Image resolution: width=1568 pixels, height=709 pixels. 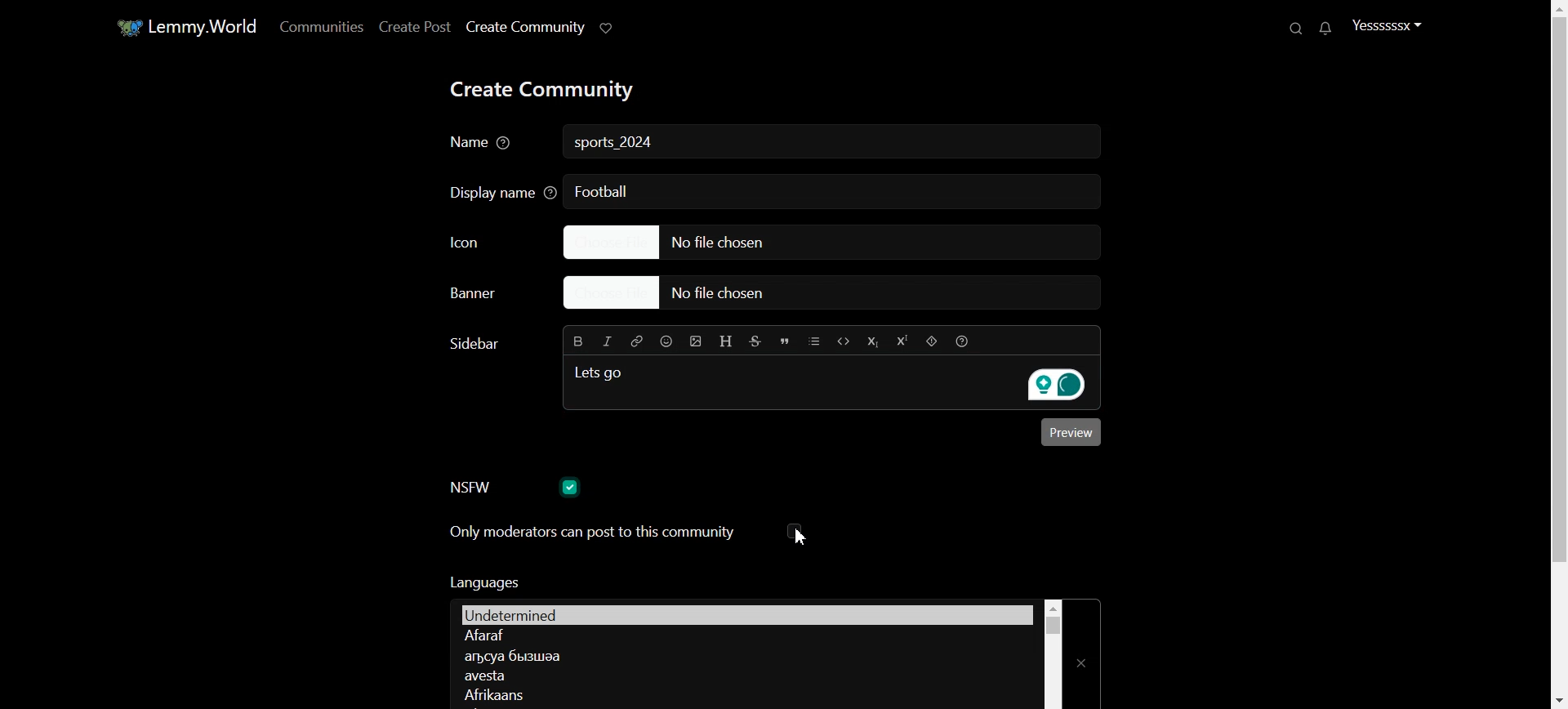 What do you see at coordinates (696, 341) in the screenshot?
I see `Insert Picture` at bounding box center [696, 341].